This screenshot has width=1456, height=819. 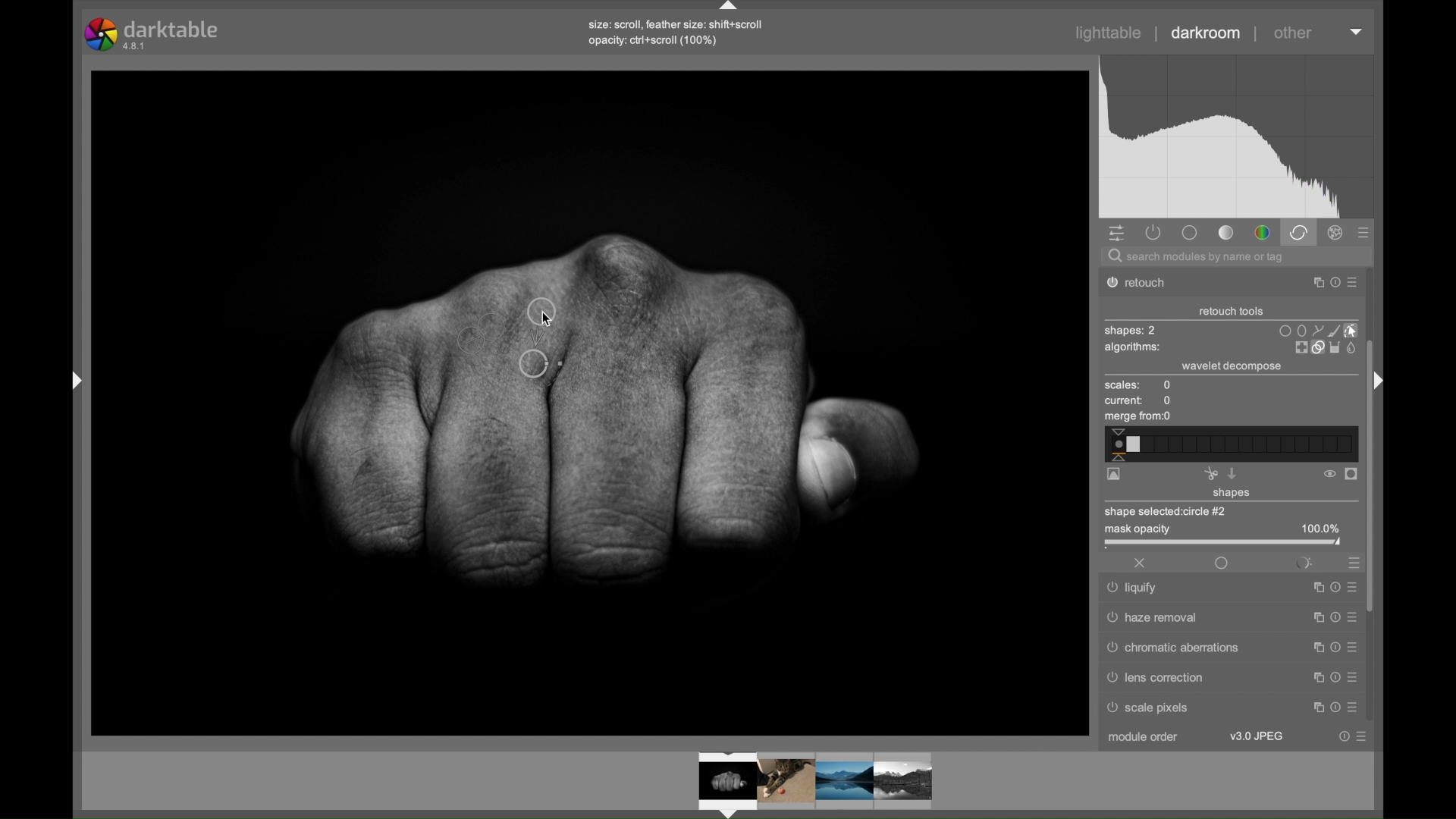 I want to click on base, so click(x=1189, y=232).